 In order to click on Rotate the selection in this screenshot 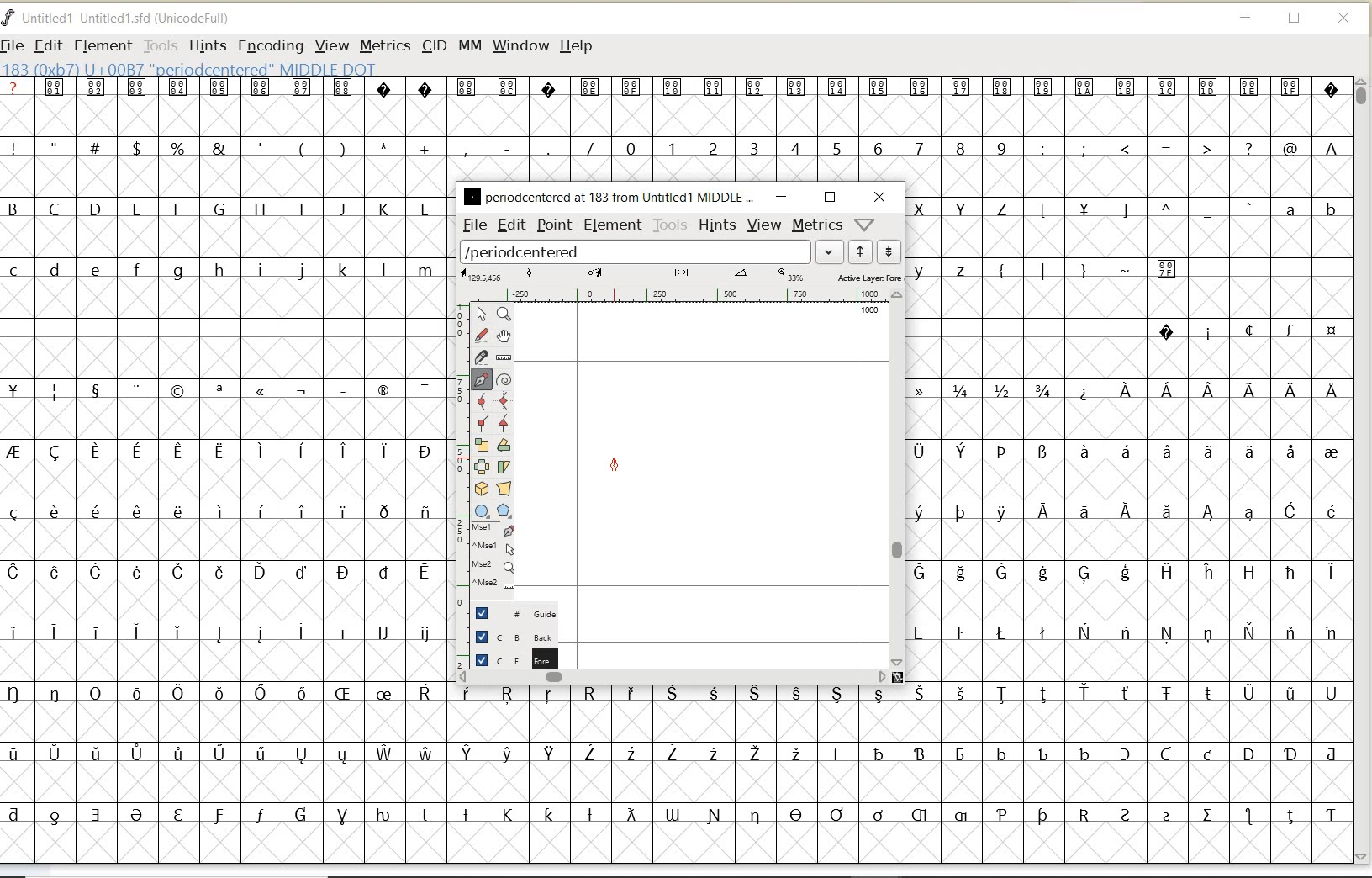, I will do `click(504, 445)`.